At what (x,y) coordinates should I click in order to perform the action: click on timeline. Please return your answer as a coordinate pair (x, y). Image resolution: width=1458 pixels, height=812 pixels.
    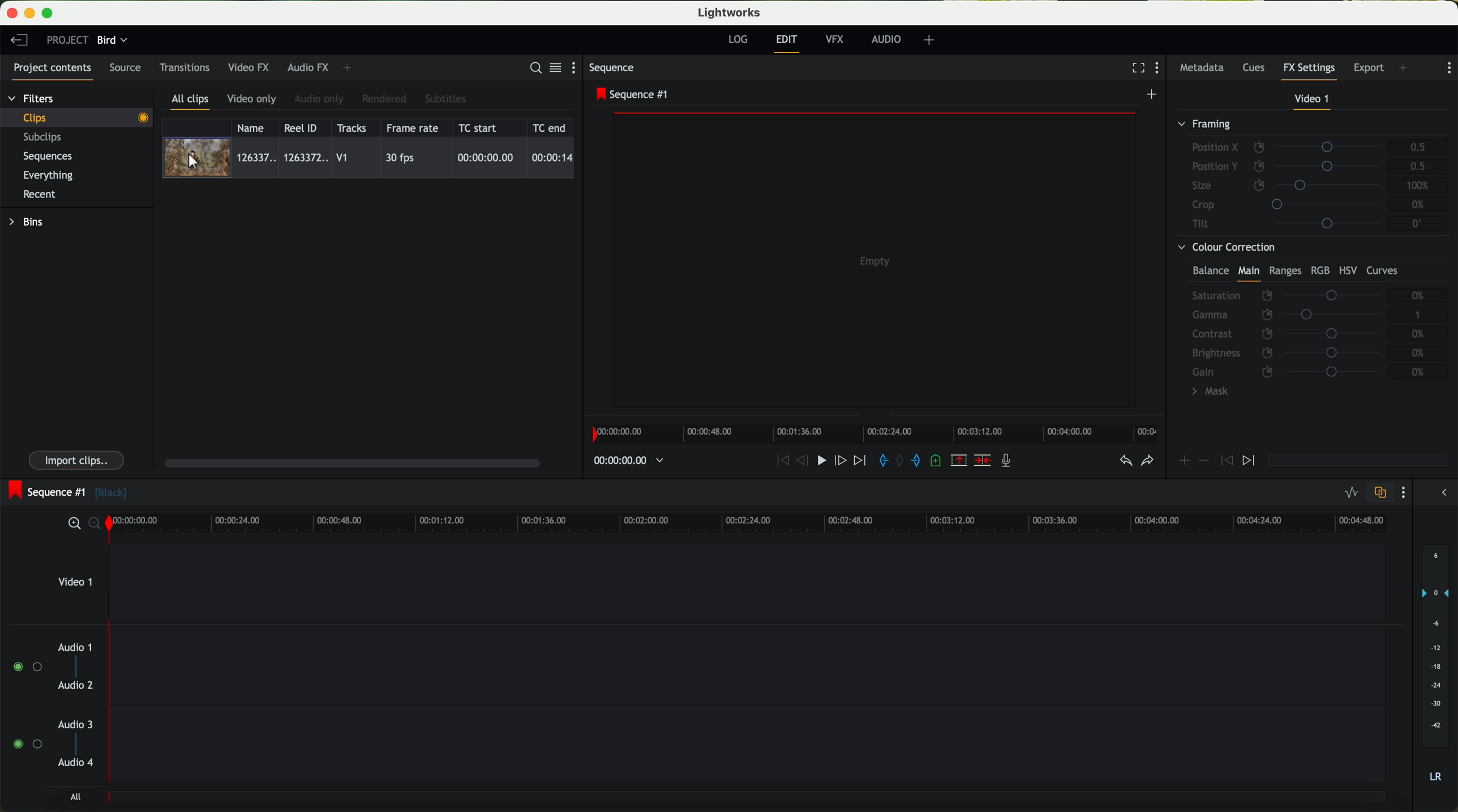
    Looking at the image, I should click on (623, 461).